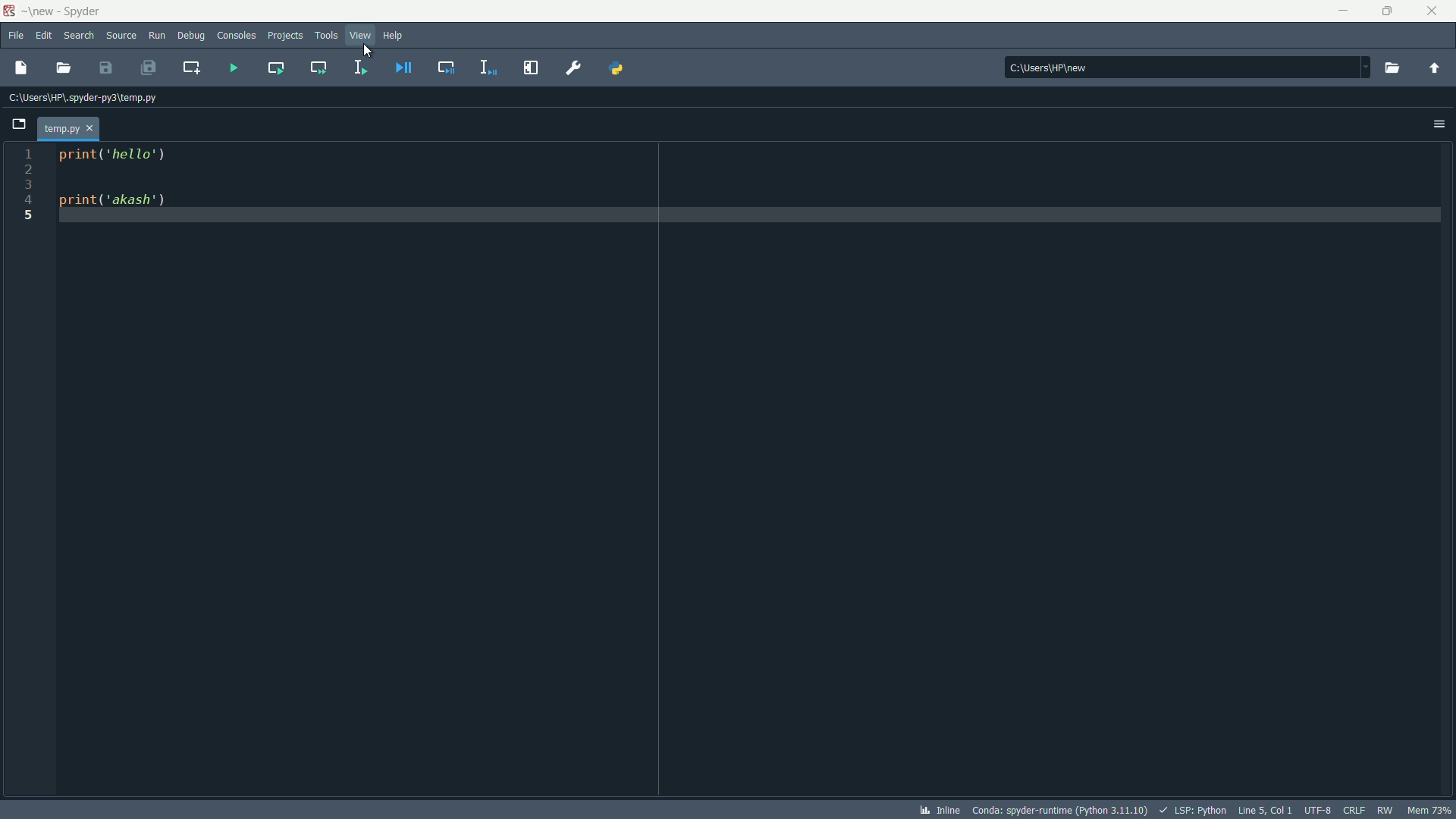 The height and width of the screenshot is (819, 1456). Describe the element at coordinates (148, 67) in the screenshot. I see `save all files` at that location.